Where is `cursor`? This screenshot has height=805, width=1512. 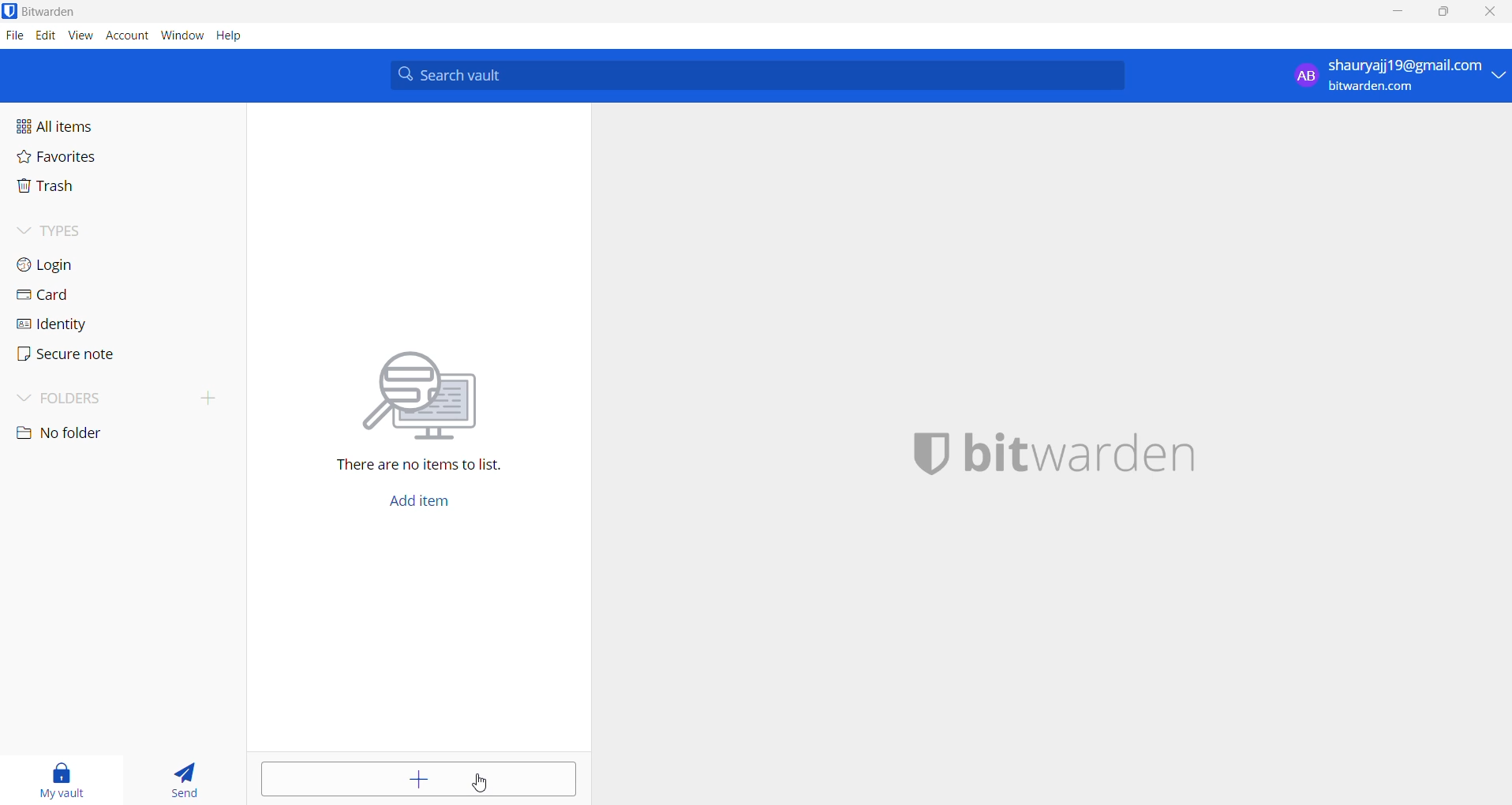 cursor is located at coordinates (481, 784).